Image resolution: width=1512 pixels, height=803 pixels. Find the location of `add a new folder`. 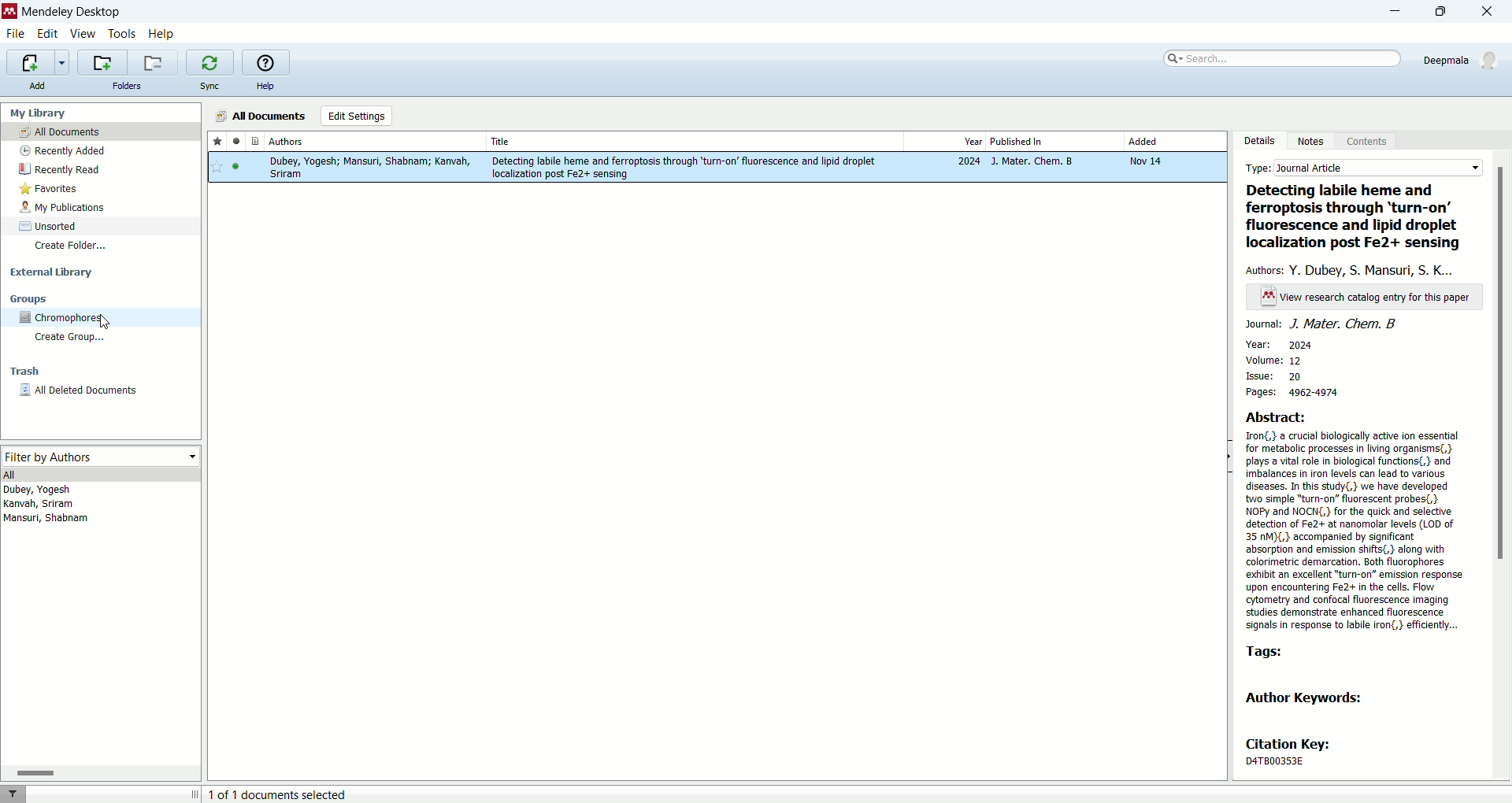

add a new folder is located at coordinates (102, 62).